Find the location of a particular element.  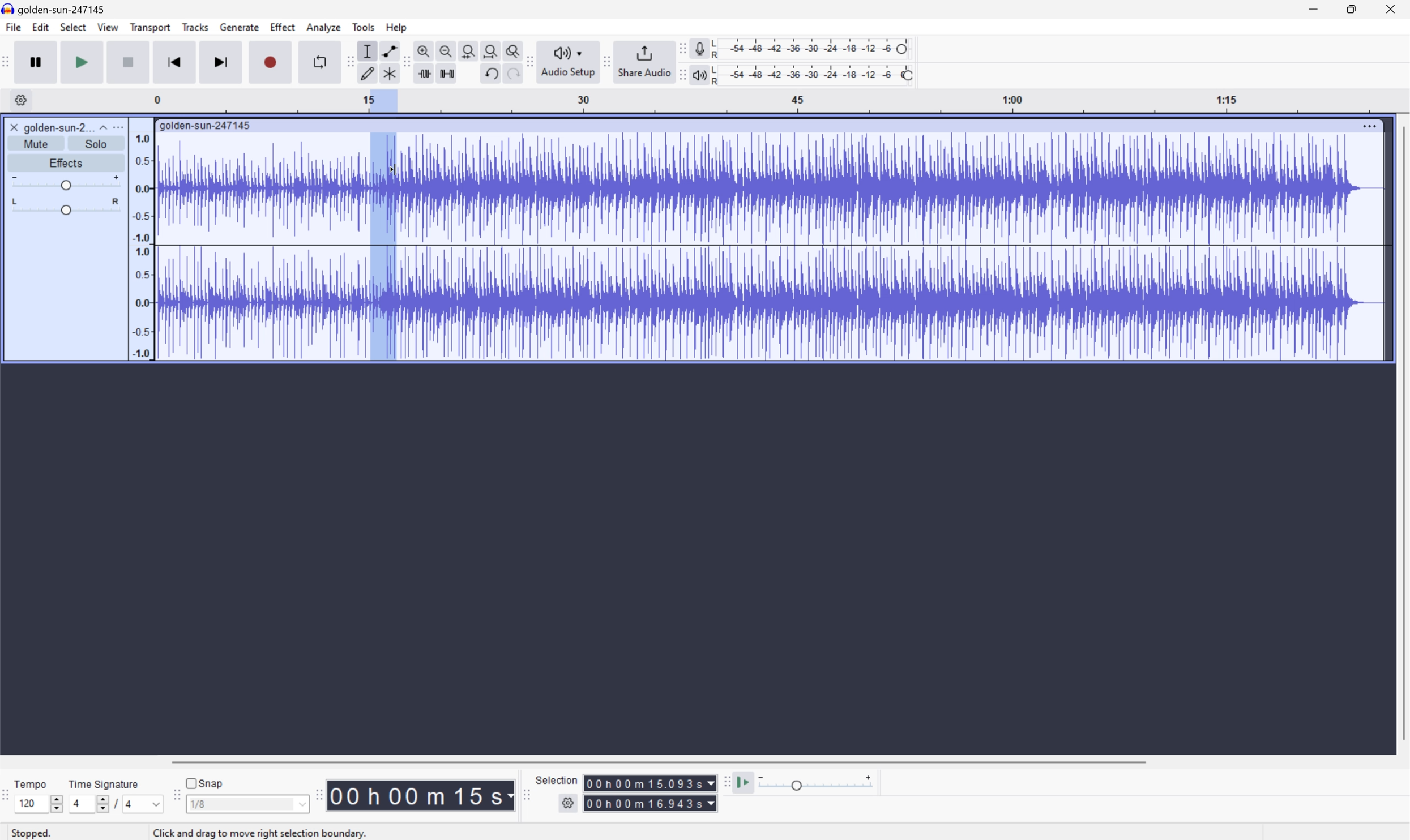

settings is located at coordinates (20, 100).